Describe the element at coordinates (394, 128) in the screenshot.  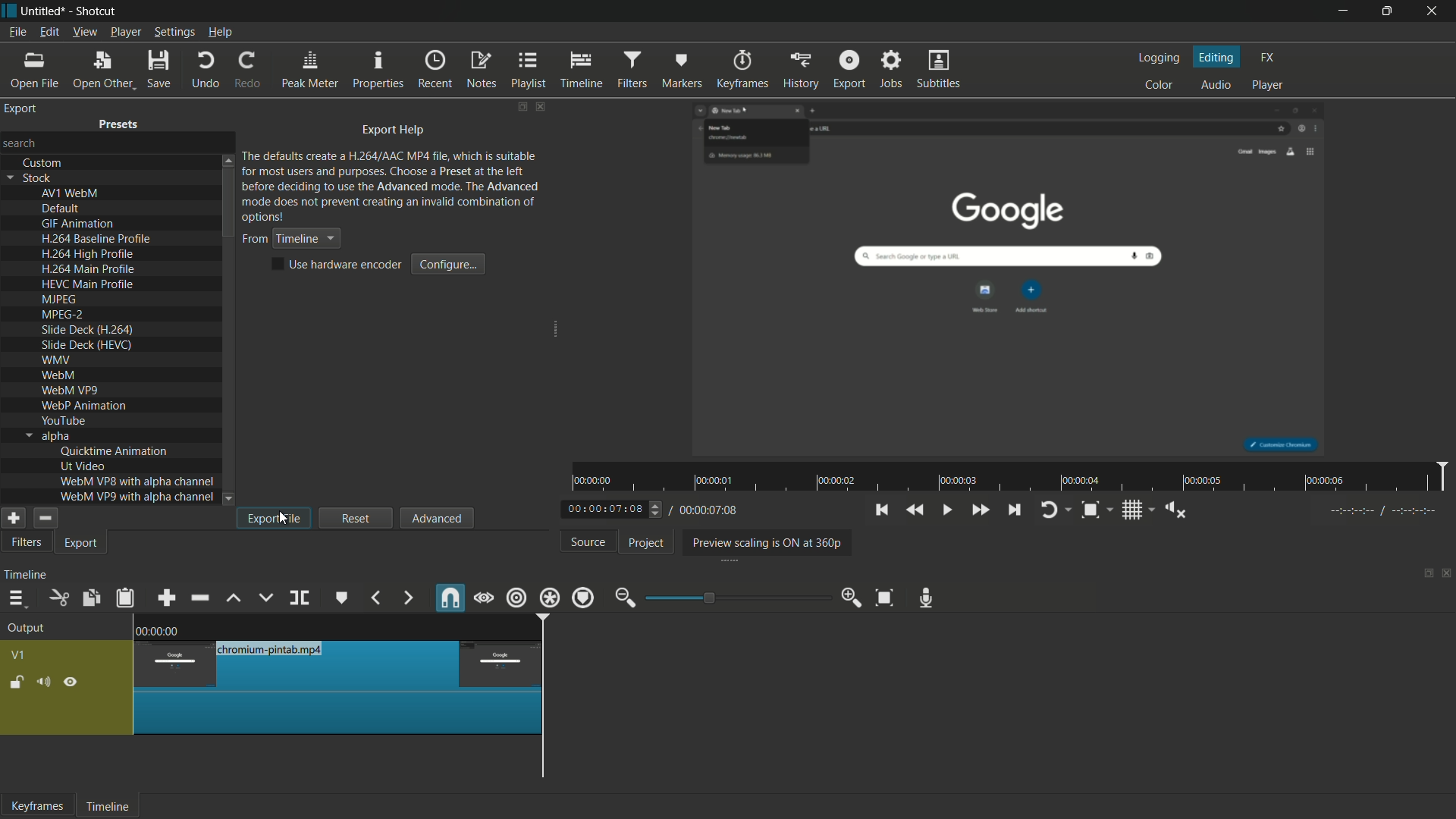
I see `export help` at that location.